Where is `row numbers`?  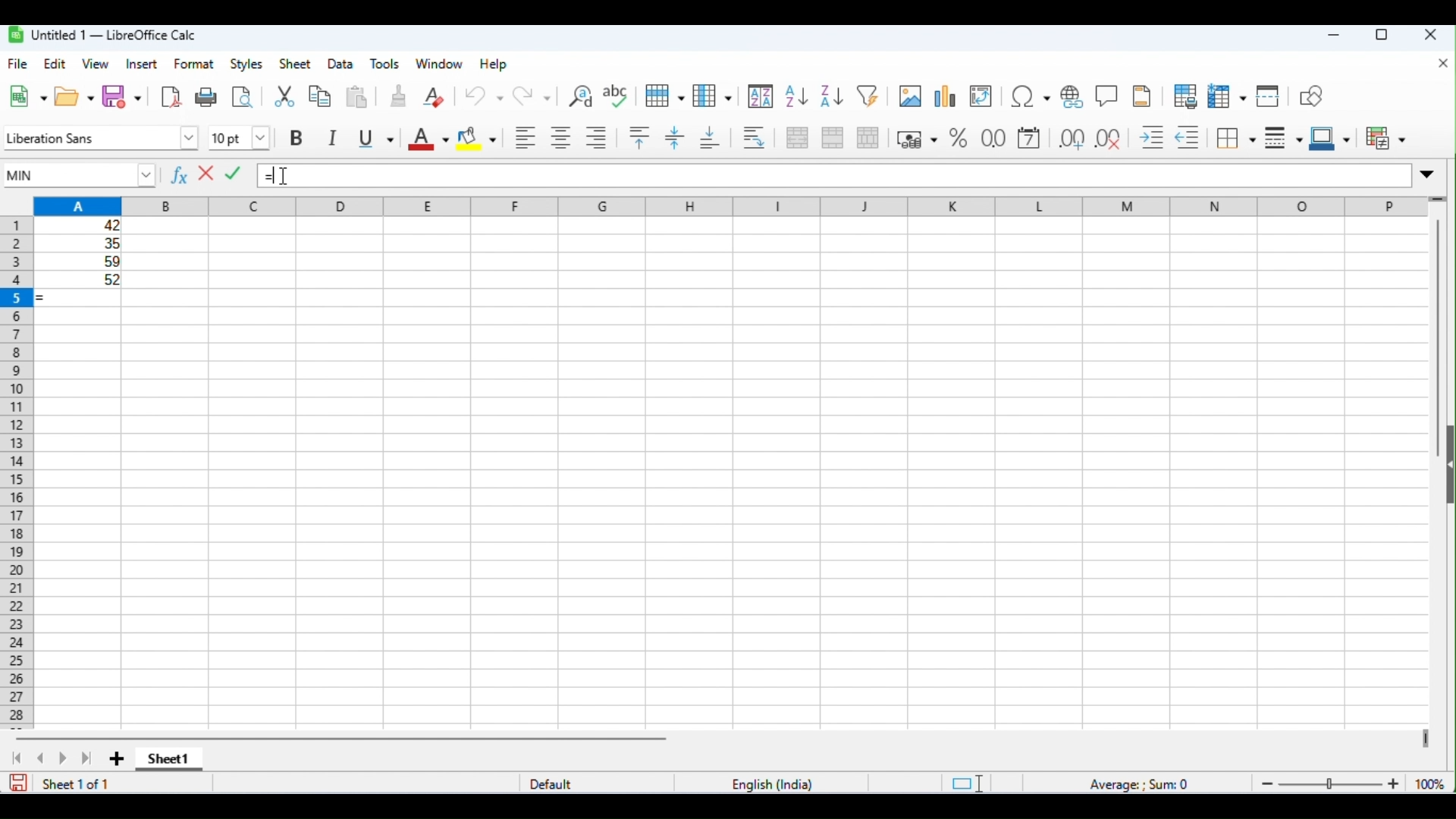
row numbers is located at coordinates (17, 472).